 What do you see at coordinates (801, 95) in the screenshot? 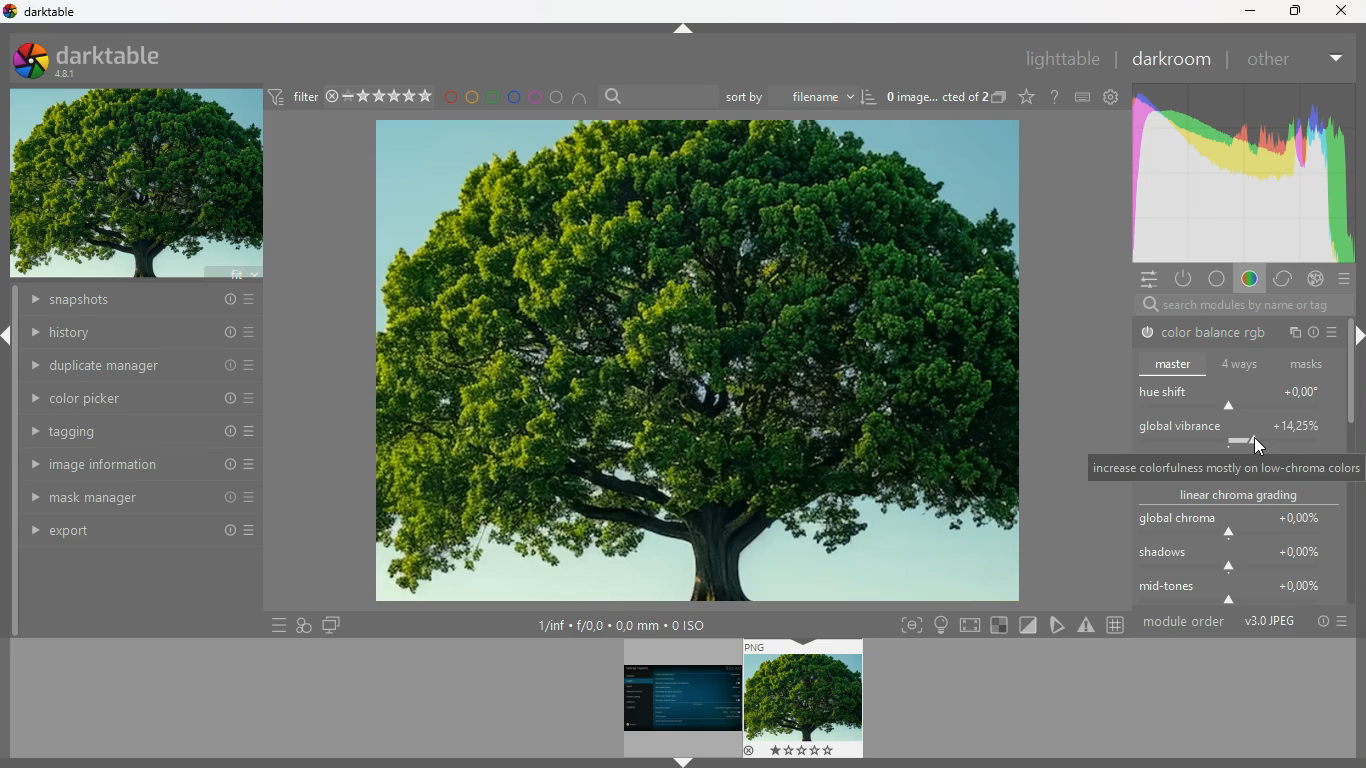
I see `sort by filename` at bounding box center [801, 95].